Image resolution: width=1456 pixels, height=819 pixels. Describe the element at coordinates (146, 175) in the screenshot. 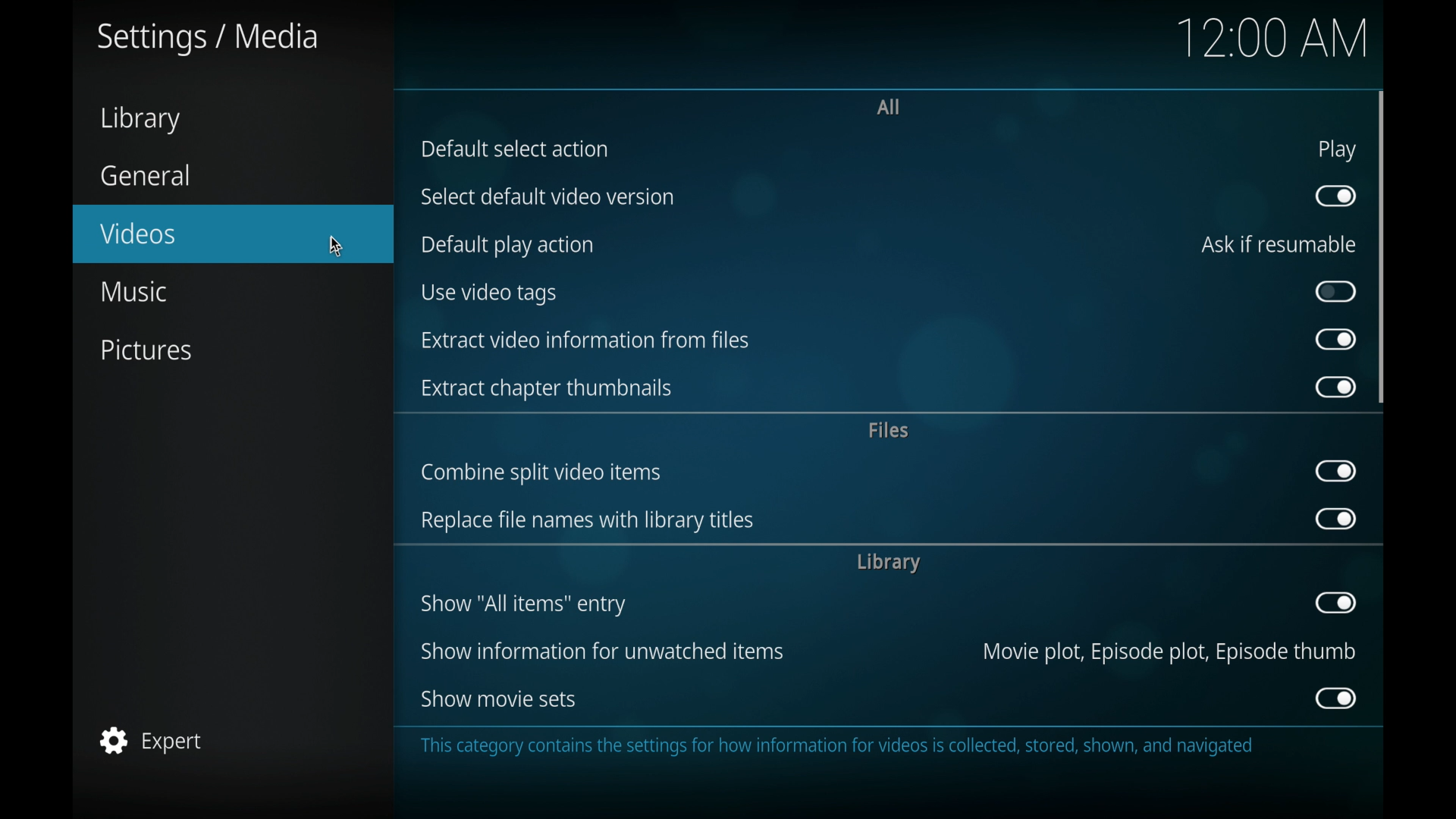

I see `general` at that location.